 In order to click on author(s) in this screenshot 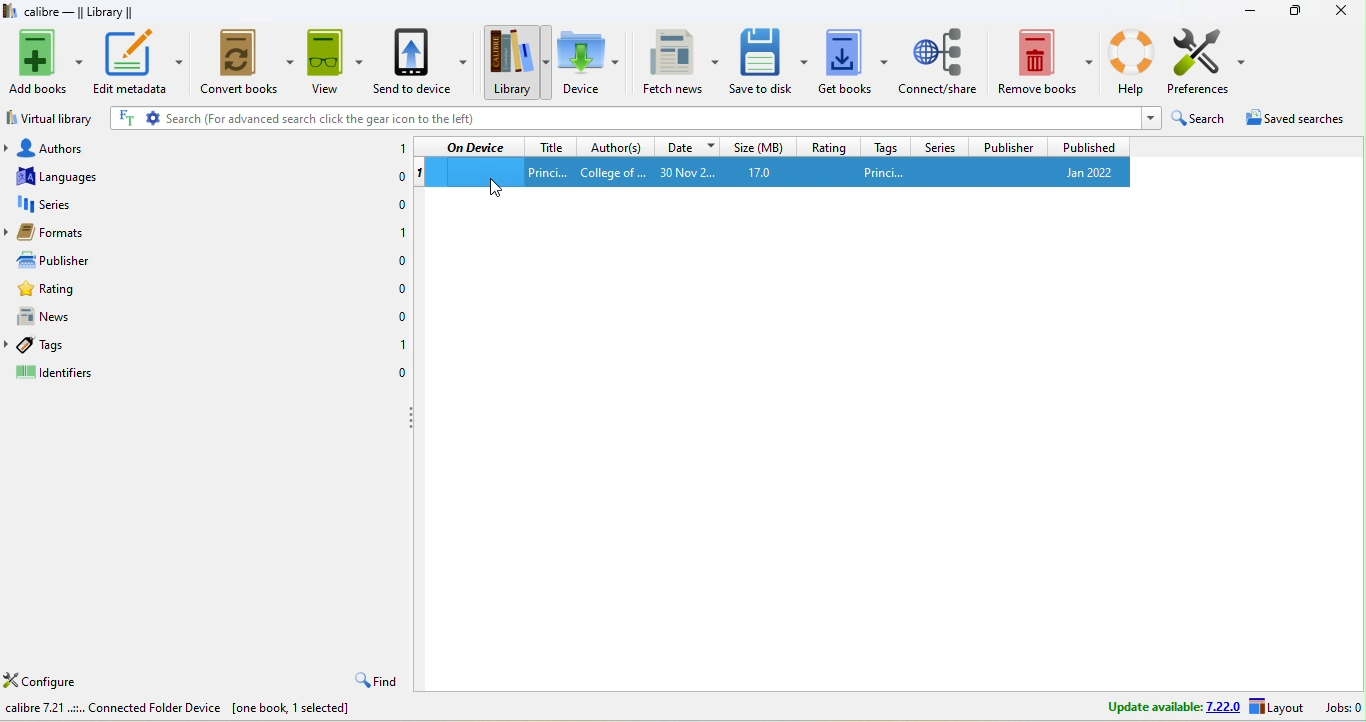, I will do `click(616, 146)`.